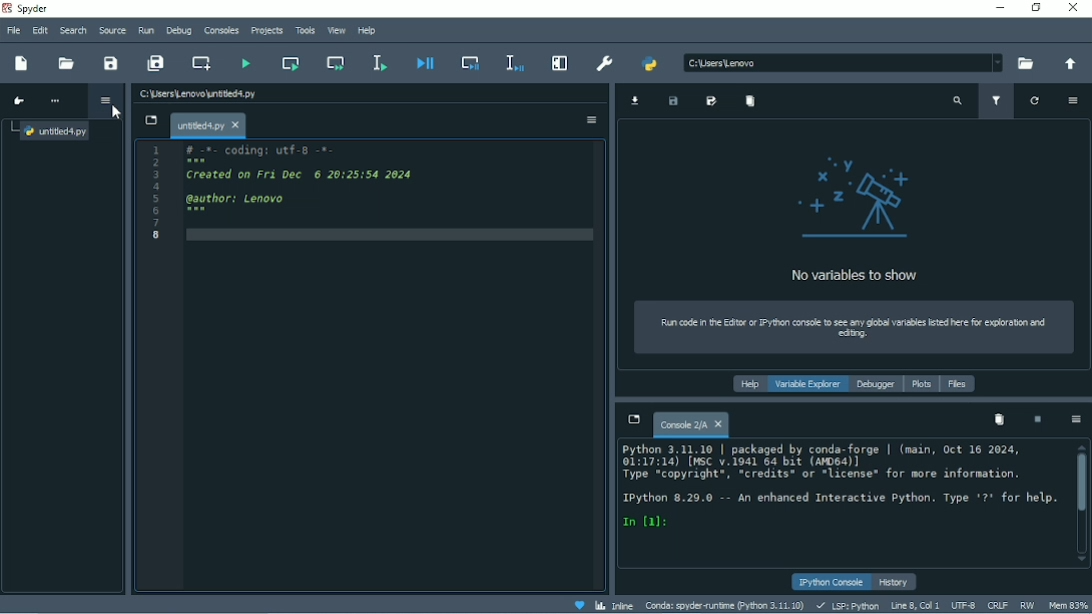 This screenshot has height=614, width=1092. Describe the element at coordinates (470, 62) in the screenshot. I see `Debug cell` at that location.